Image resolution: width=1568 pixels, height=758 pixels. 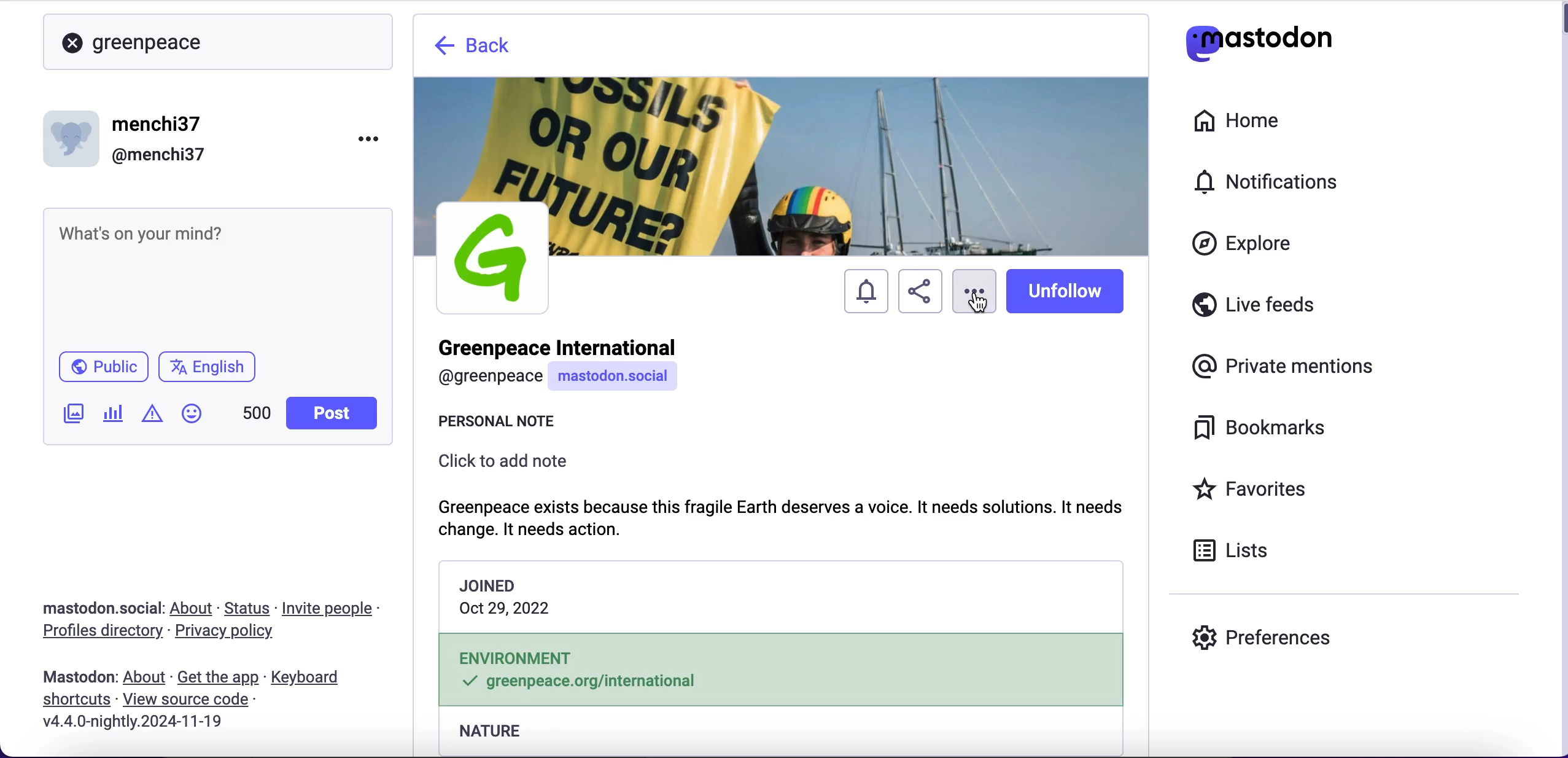 What do you see at coordinates (219, 276) in the screenshot?
I see `post what's n your mind` at bounding box center [219, 276].